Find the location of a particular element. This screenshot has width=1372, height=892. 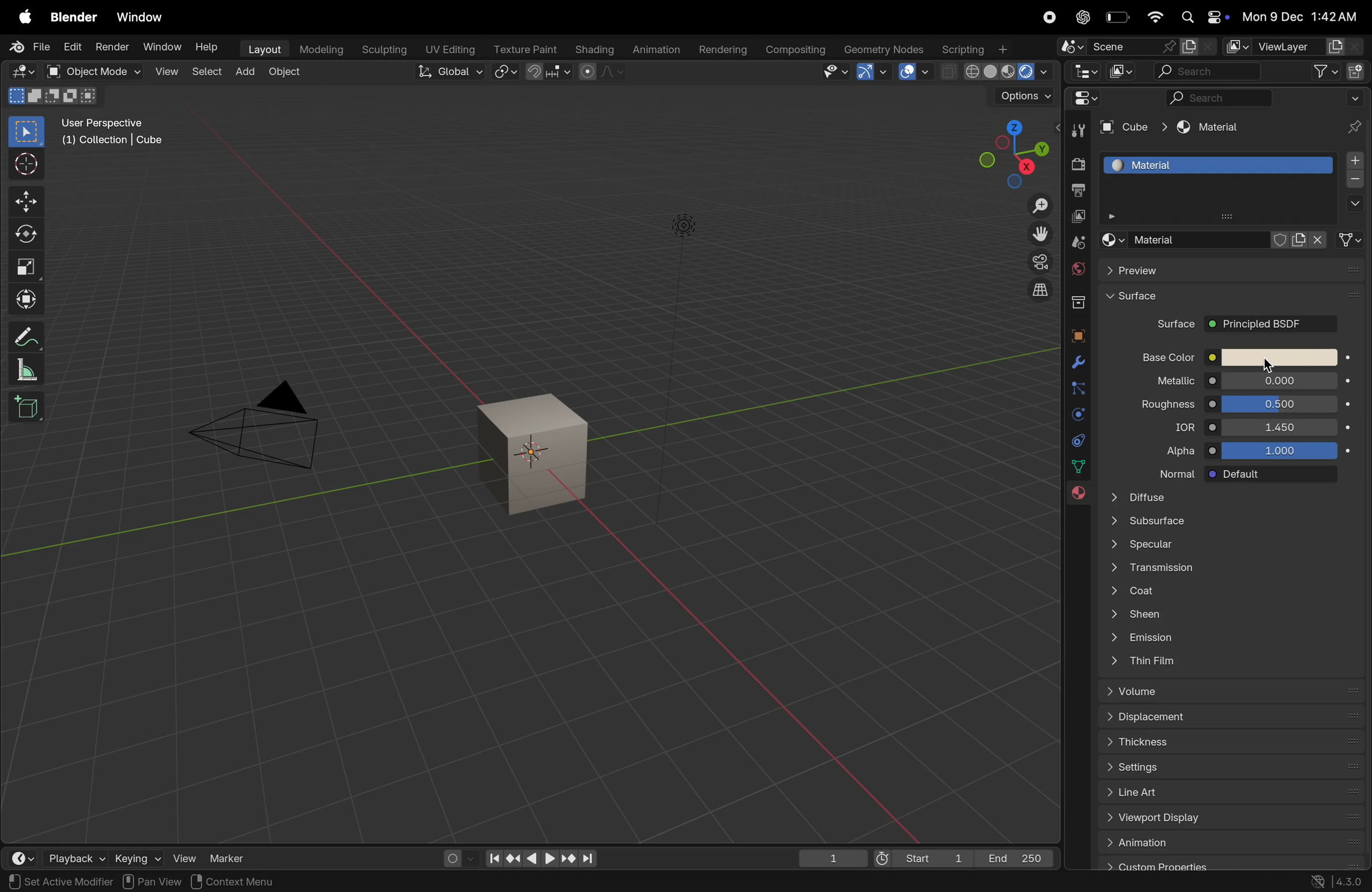

Surface is located at coordinates (1230, 300).